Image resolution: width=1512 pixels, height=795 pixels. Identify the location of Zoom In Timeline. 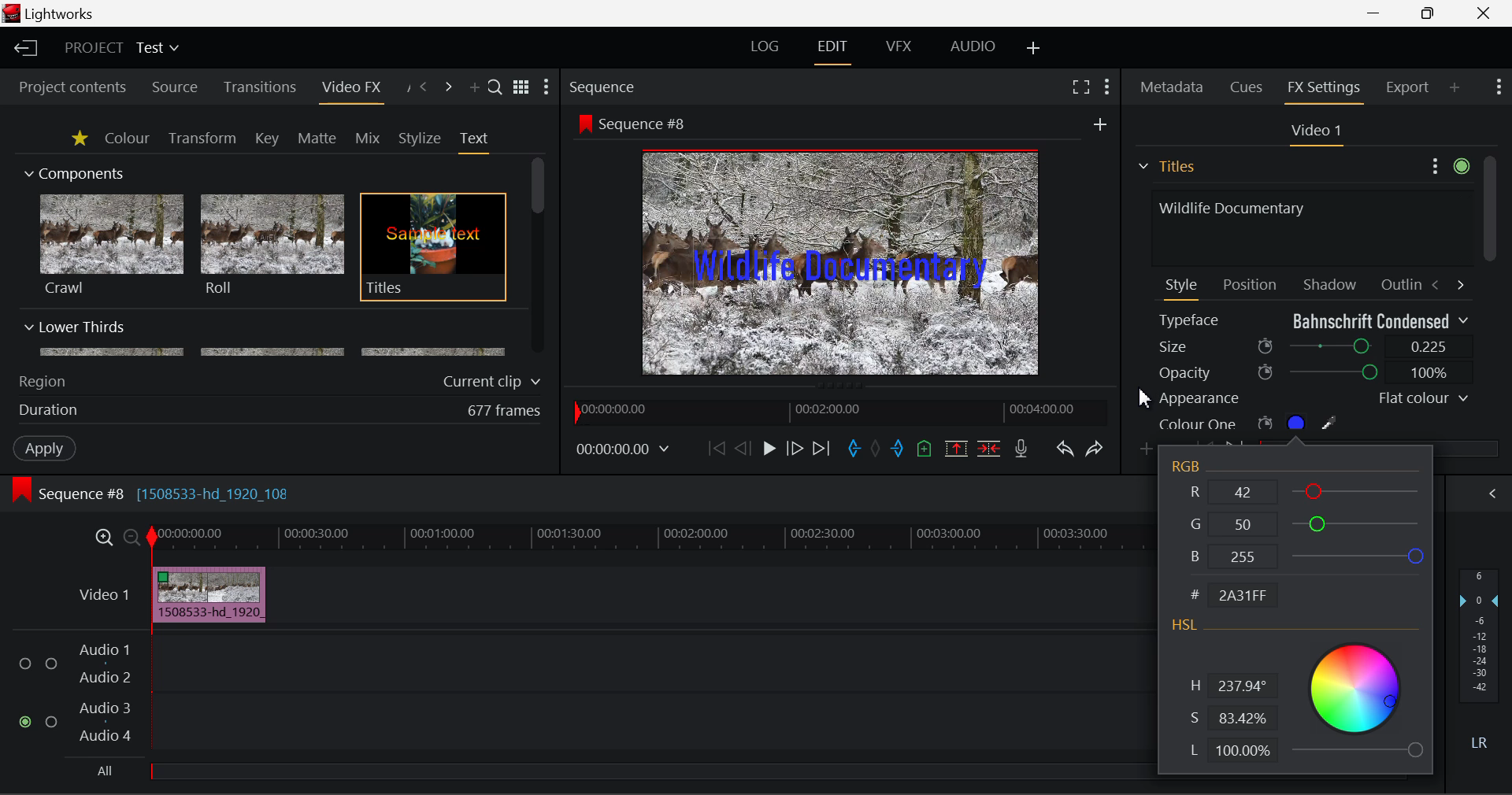
(104, 542).